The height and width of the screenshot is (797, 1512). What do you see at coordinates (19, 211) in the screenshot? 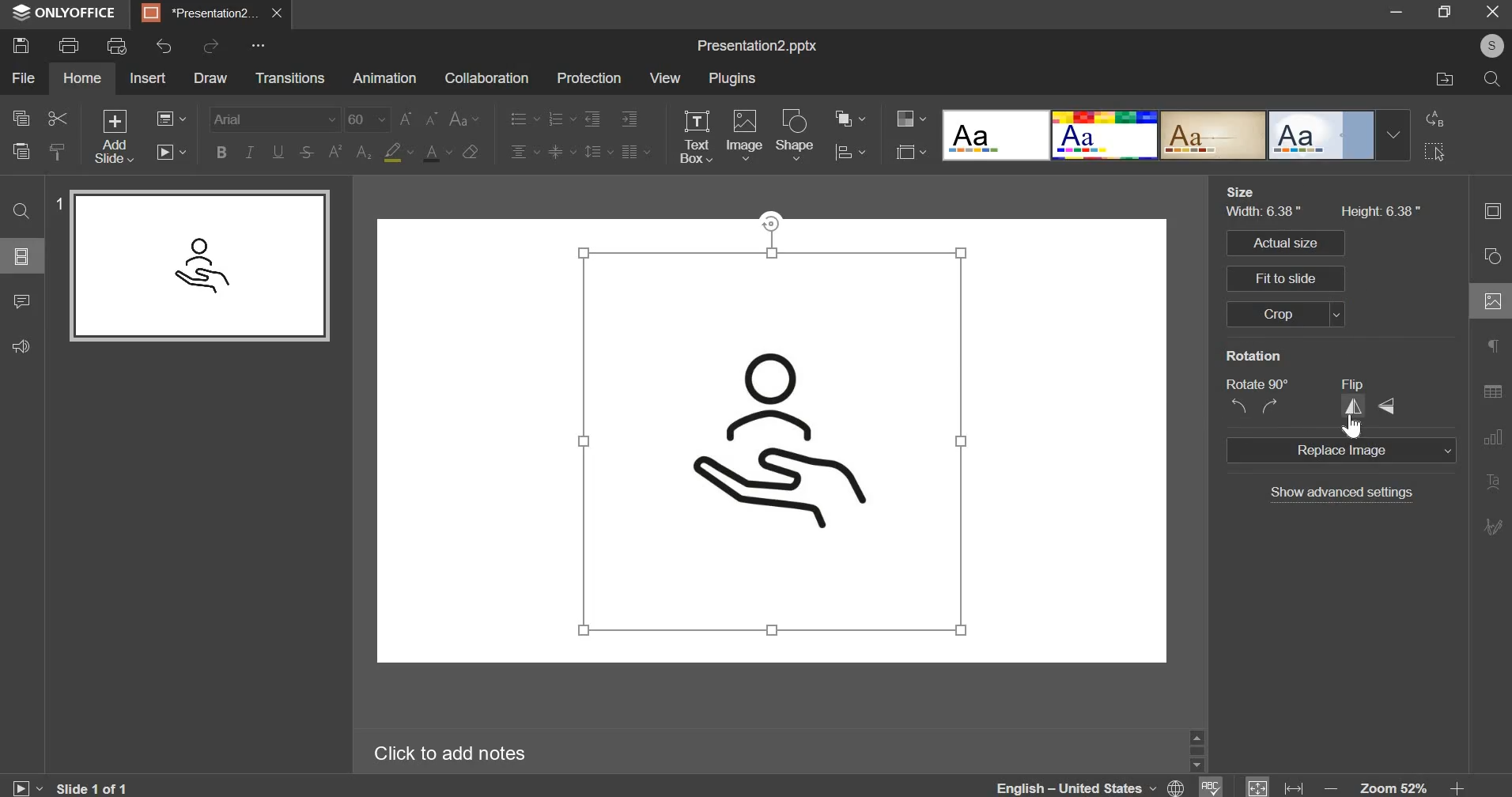
I see `find` at bounding box center [19, 211].